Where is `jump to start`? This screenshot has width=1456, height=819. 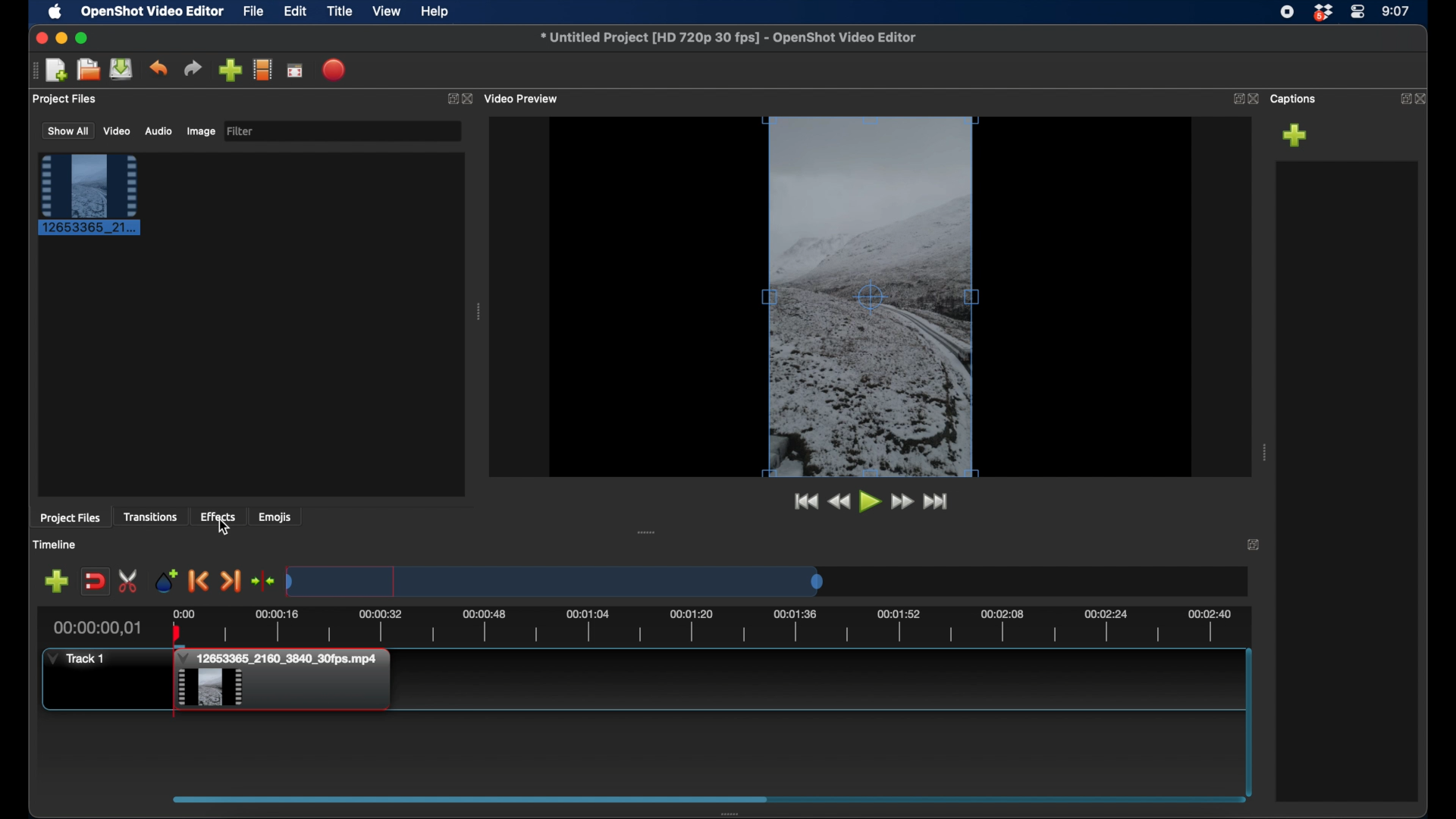
jump to start is located at coordinates (803, 501).